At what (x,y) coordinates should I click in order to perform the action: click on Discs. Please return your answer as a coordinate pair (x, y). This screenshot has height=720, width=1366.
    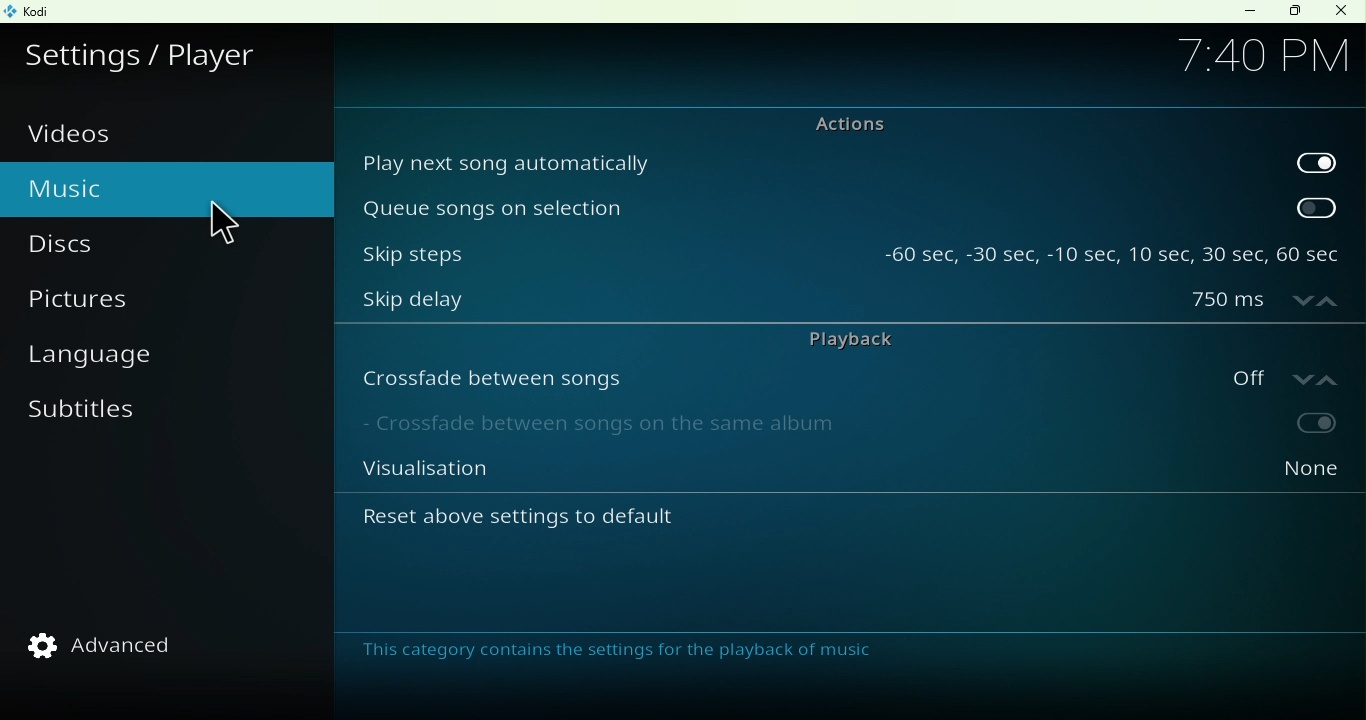
    Looking at the image, I should click on (91, 245).